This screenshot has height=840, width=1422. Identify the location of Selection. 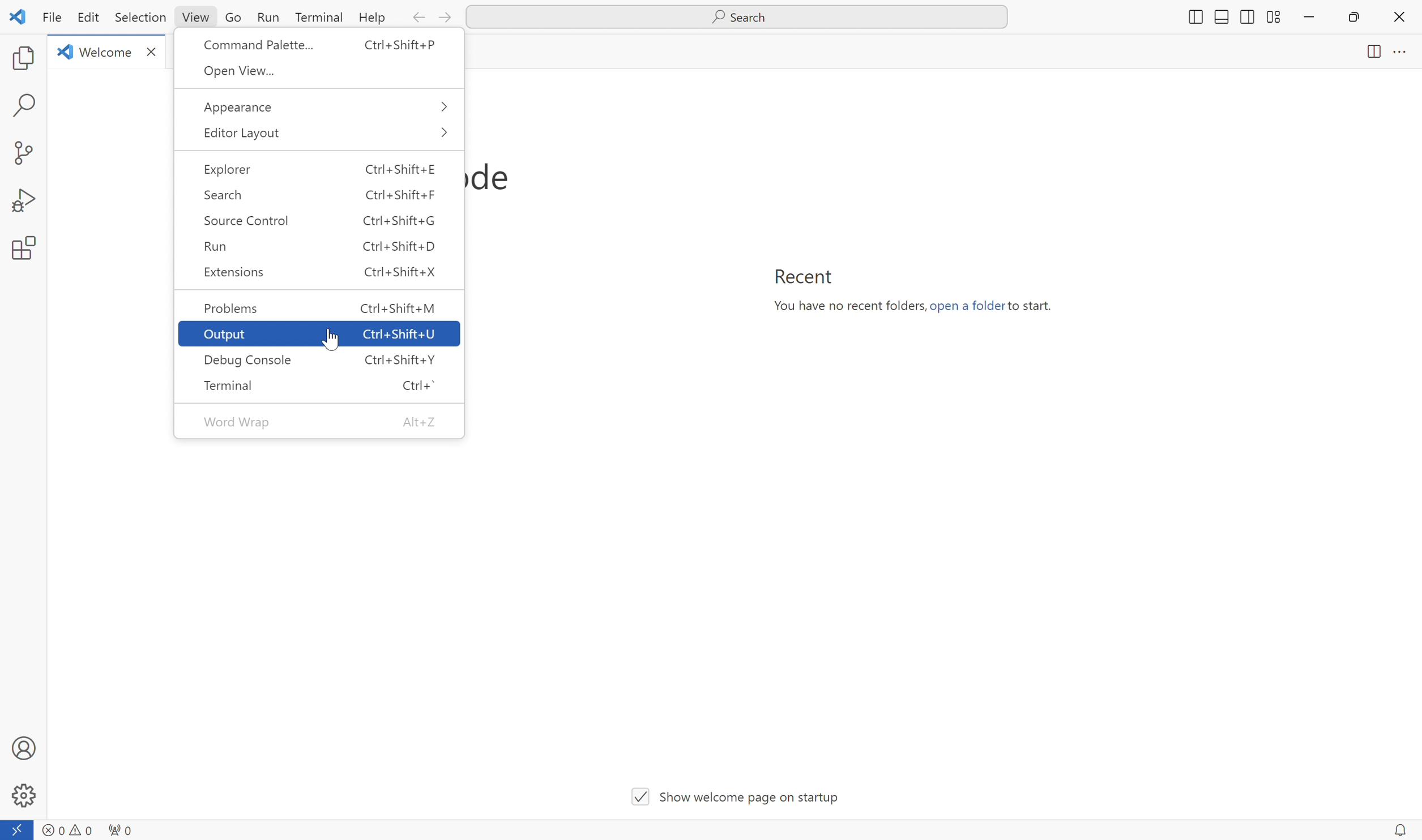
(143, 20).